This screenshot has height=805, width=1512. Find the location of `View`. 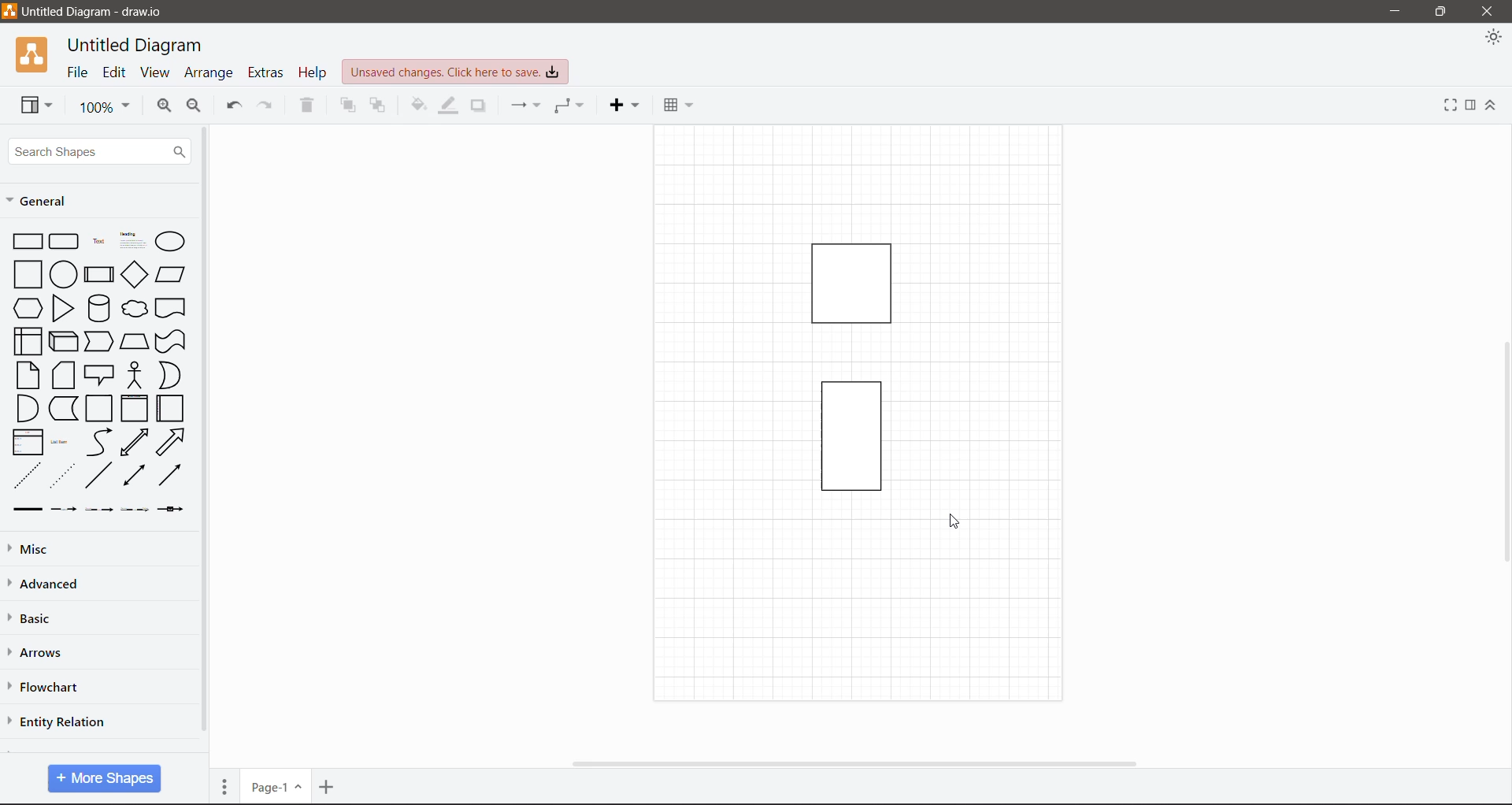

View is located at coordinates (36, 105).